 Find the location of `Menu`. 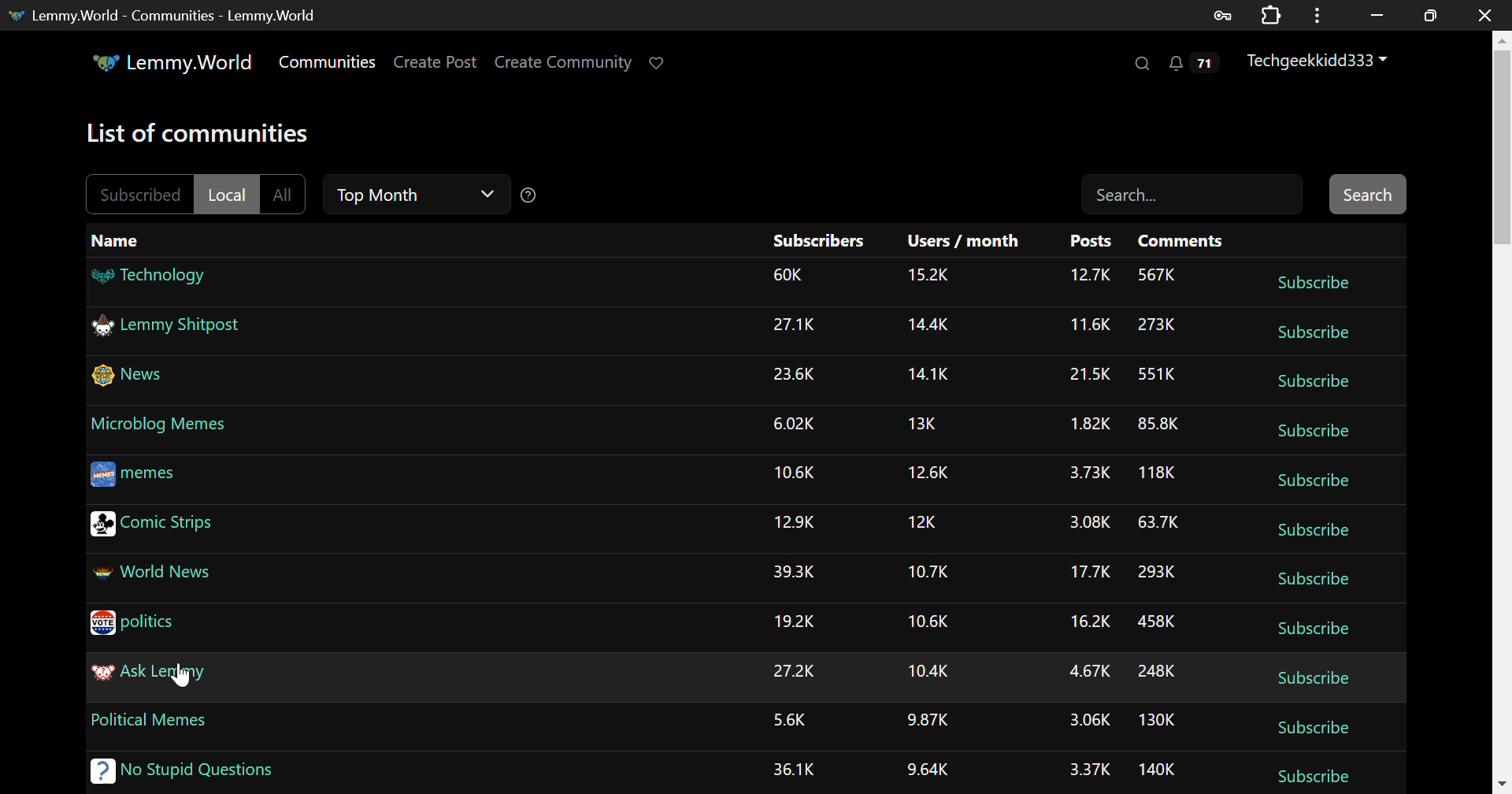

Menu is located at coordinates (1317, 15).